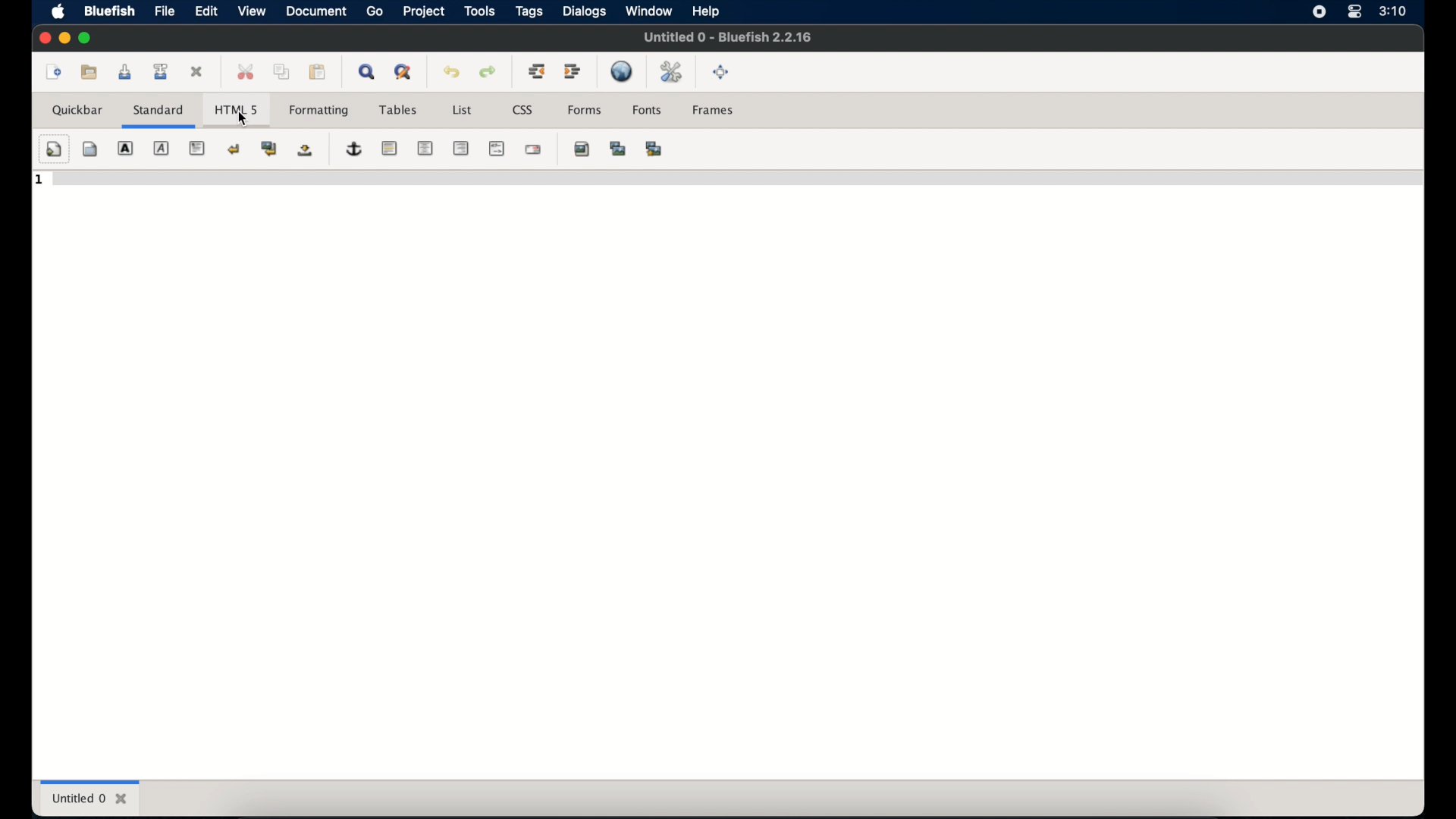  What do you see at coordinates (536, 71) in the screenshot?
I see `unindent` at bounding box center [536, 71].